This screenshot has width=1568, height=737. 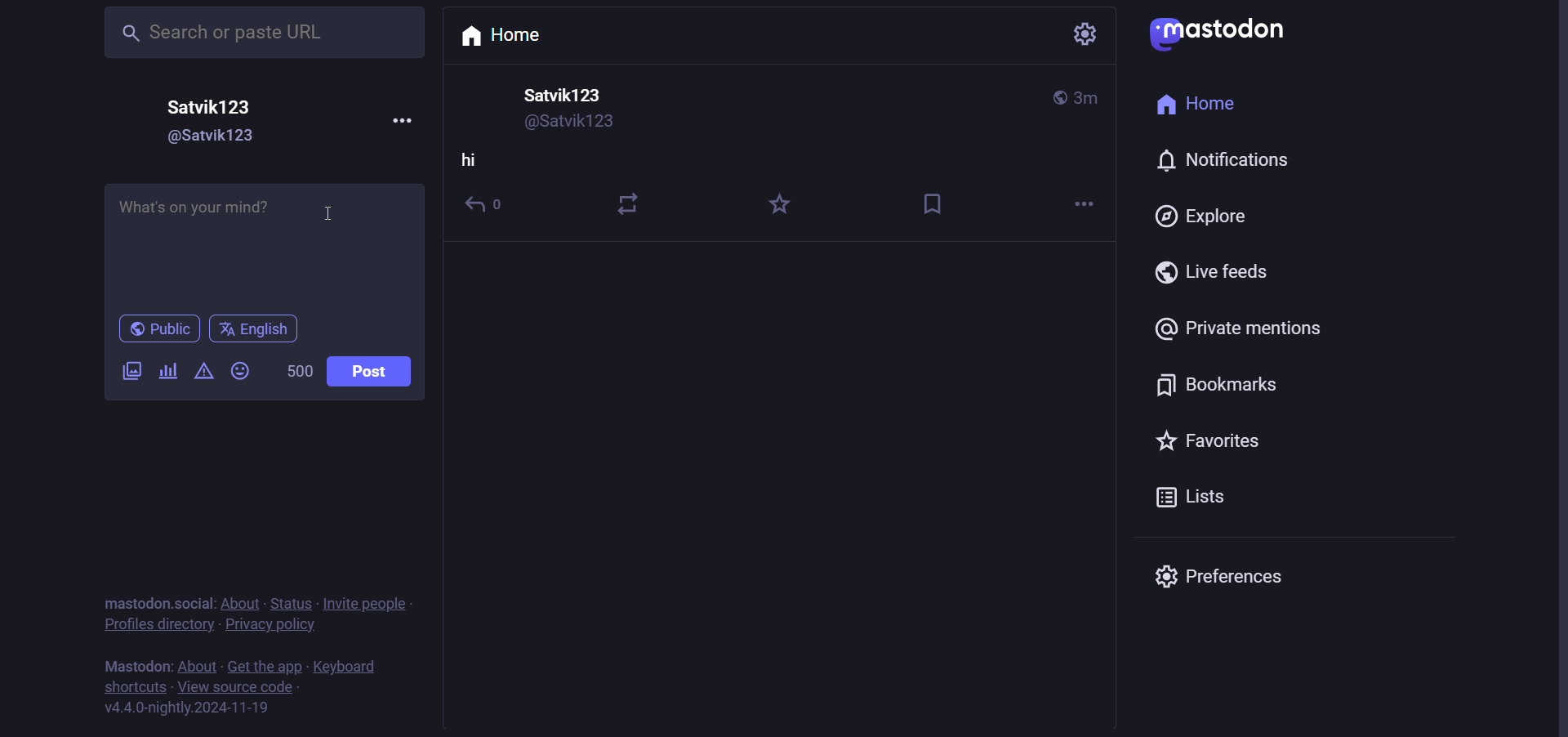 I want to click on bookmark, so click(x=937, y=202).